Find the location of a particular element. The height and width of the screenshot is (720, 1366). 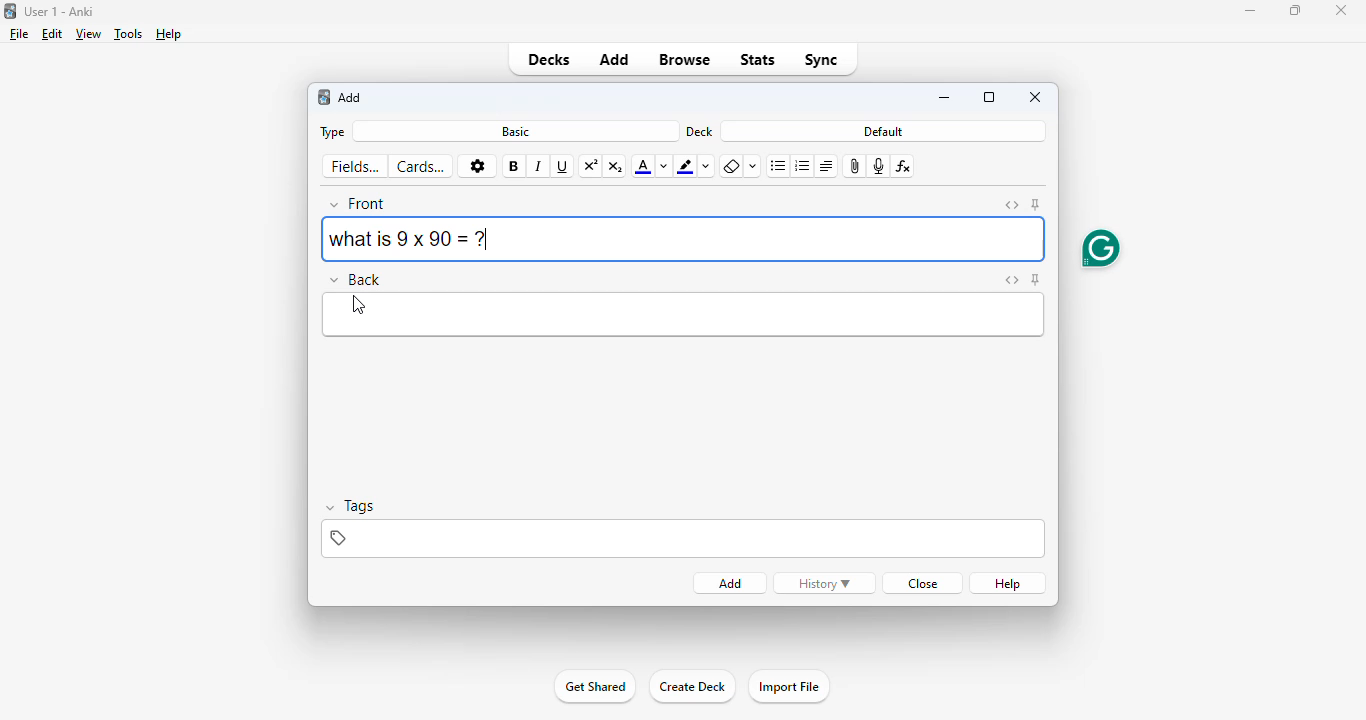

browse is located at coordinates (686, 59).